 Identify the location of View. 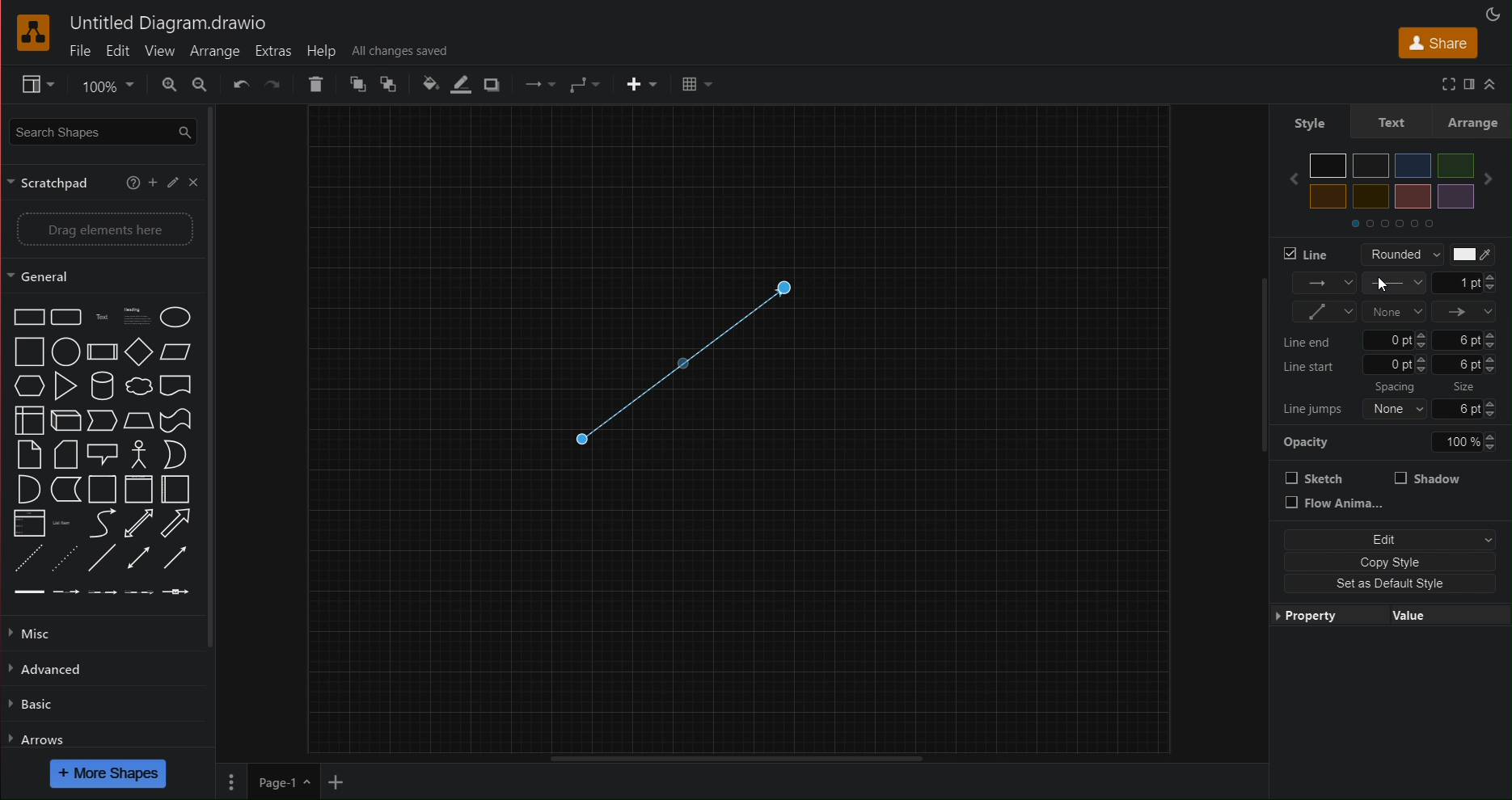
(158, 51).